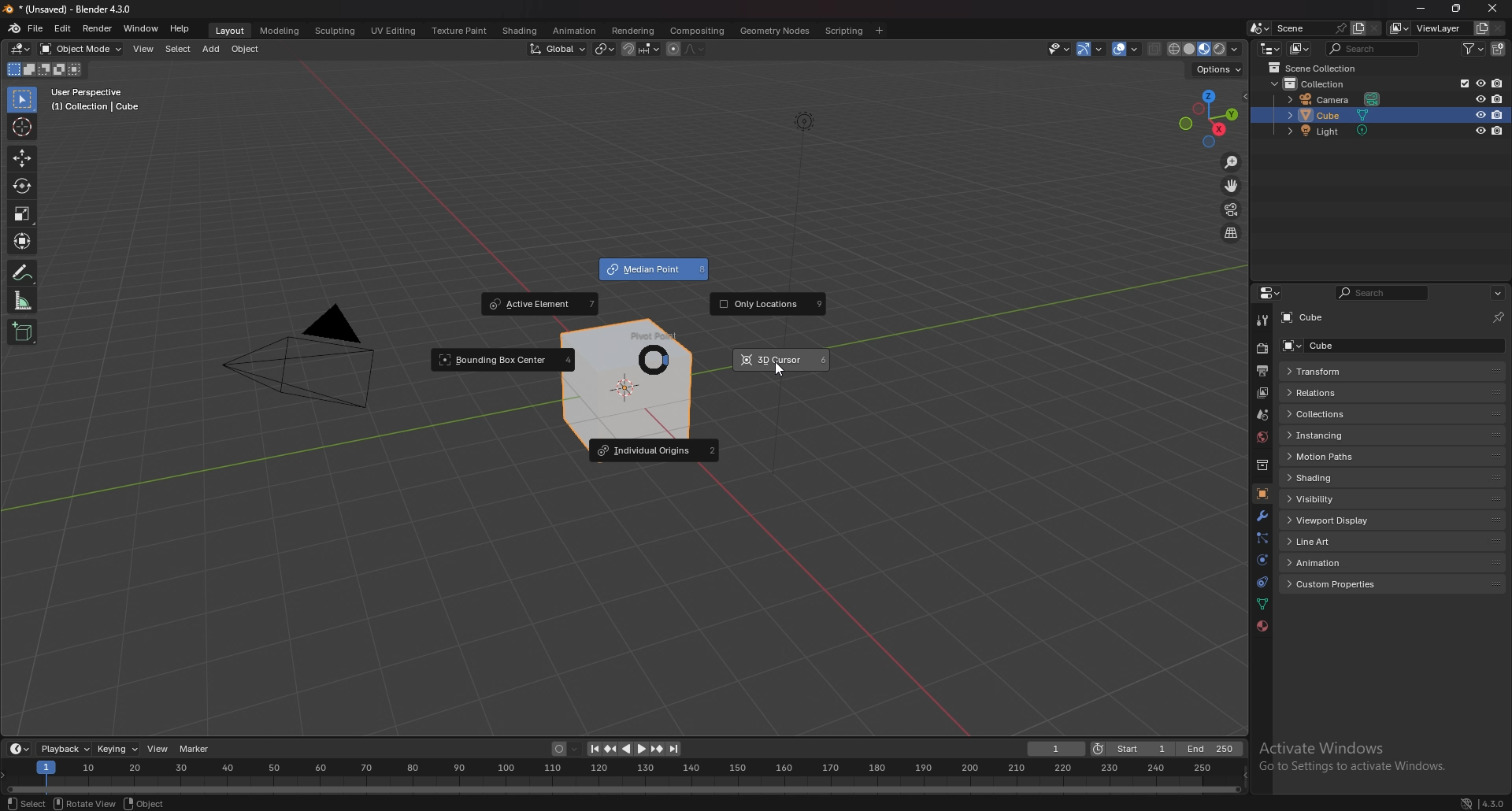  I want to click on hide in viewport, so click(1478, 100).